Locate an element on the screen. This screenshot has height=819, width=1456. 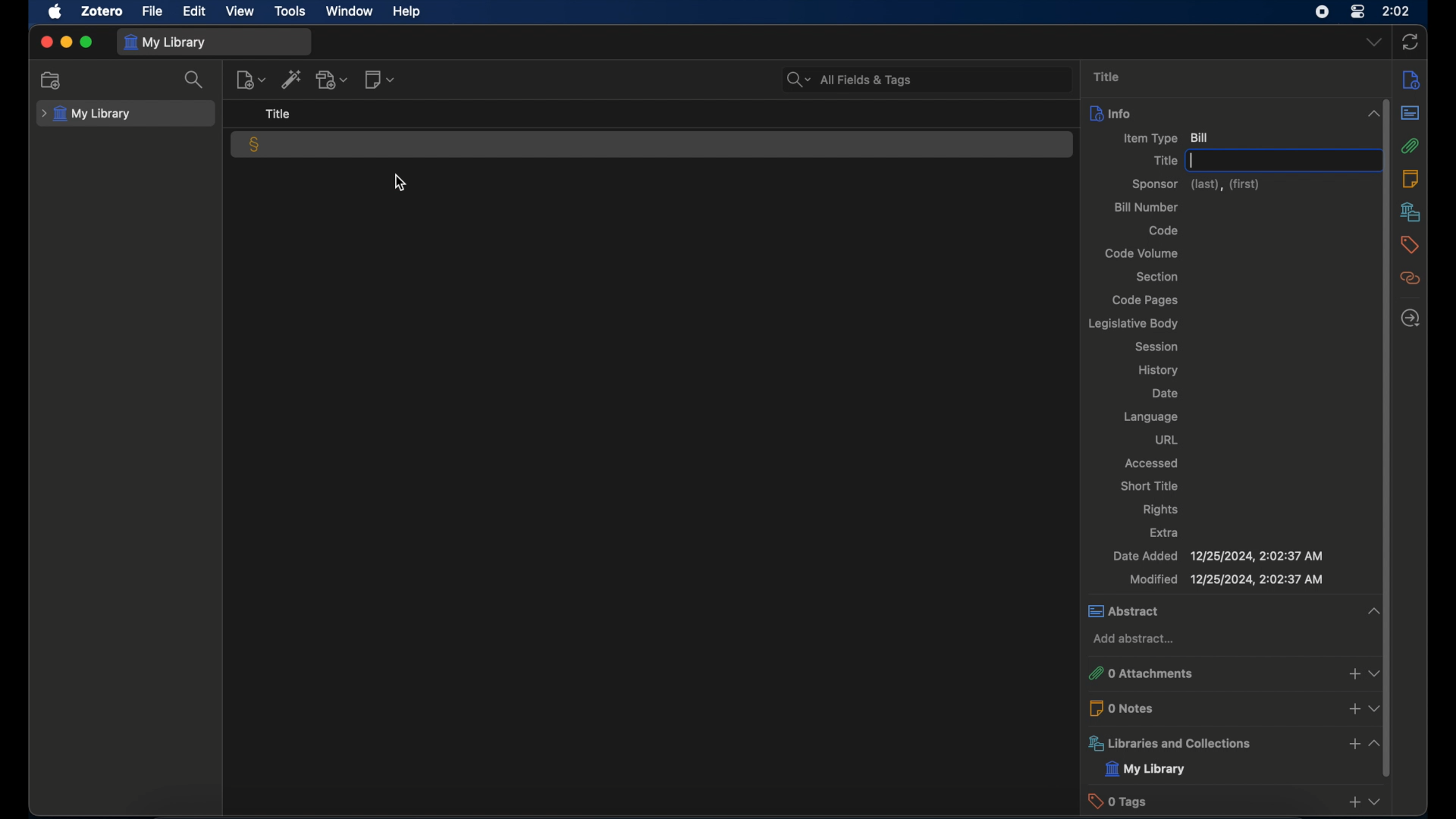
rights is located at coordinates (1161, 510).